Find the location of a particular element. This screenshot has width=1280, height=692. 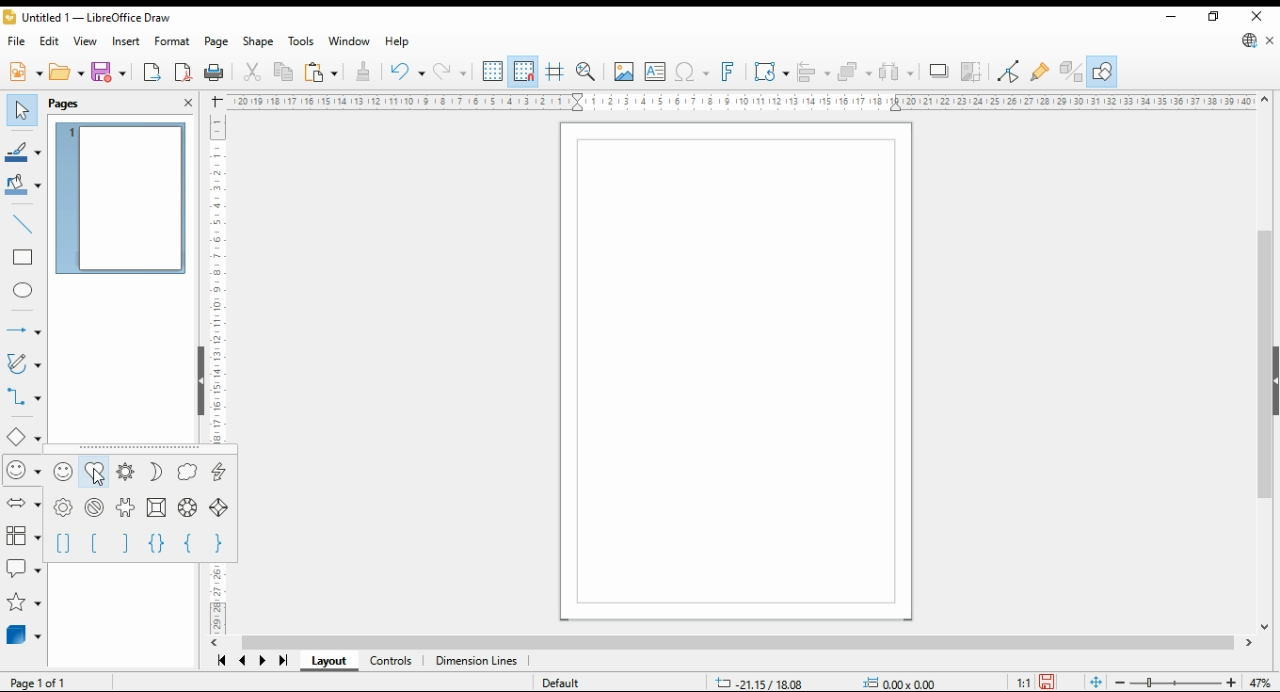

sun is located at coordinates (125, 472).